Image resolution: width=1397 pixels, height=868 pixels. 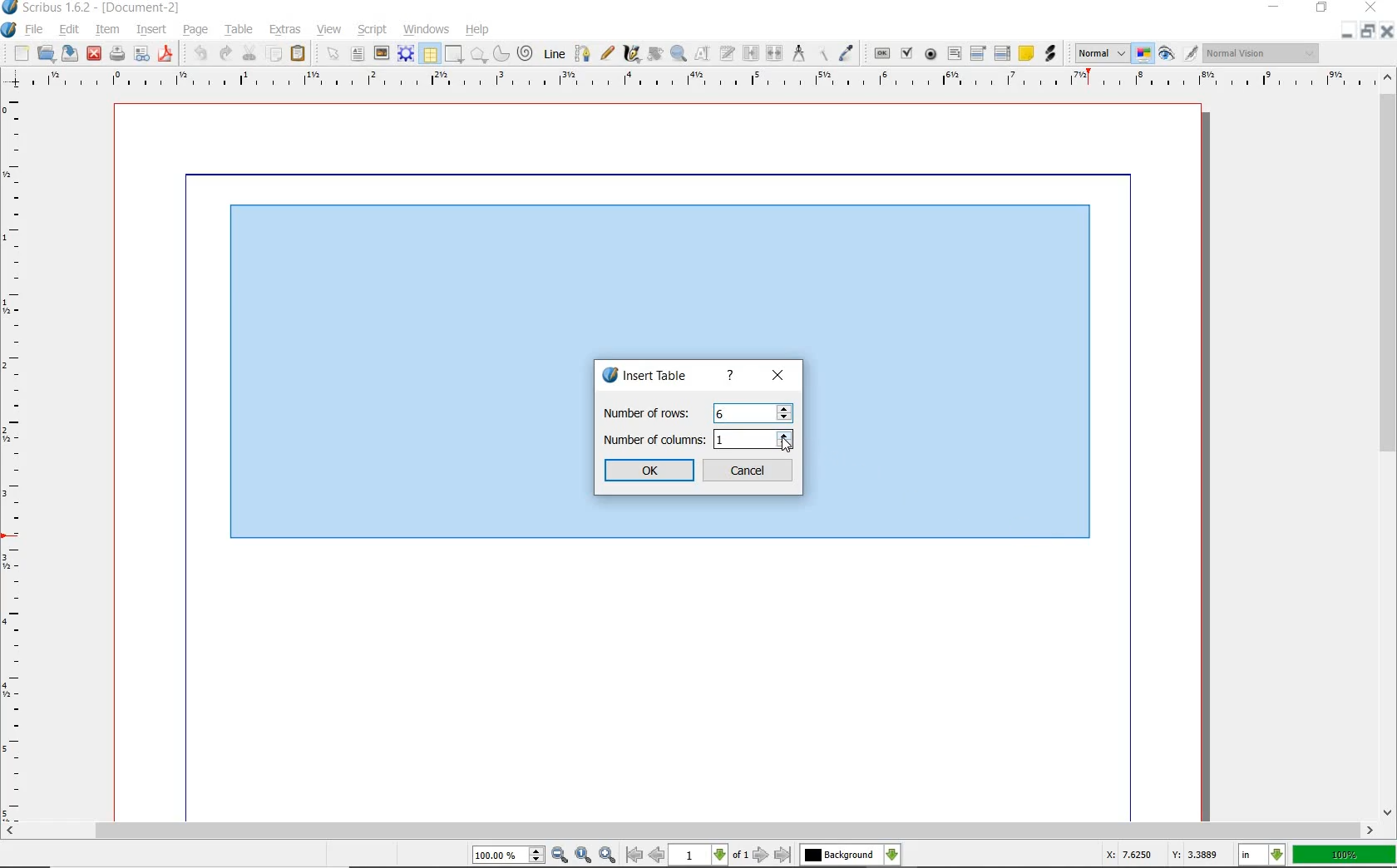 I want to click on scrollbar, so click(x=698, y=832).